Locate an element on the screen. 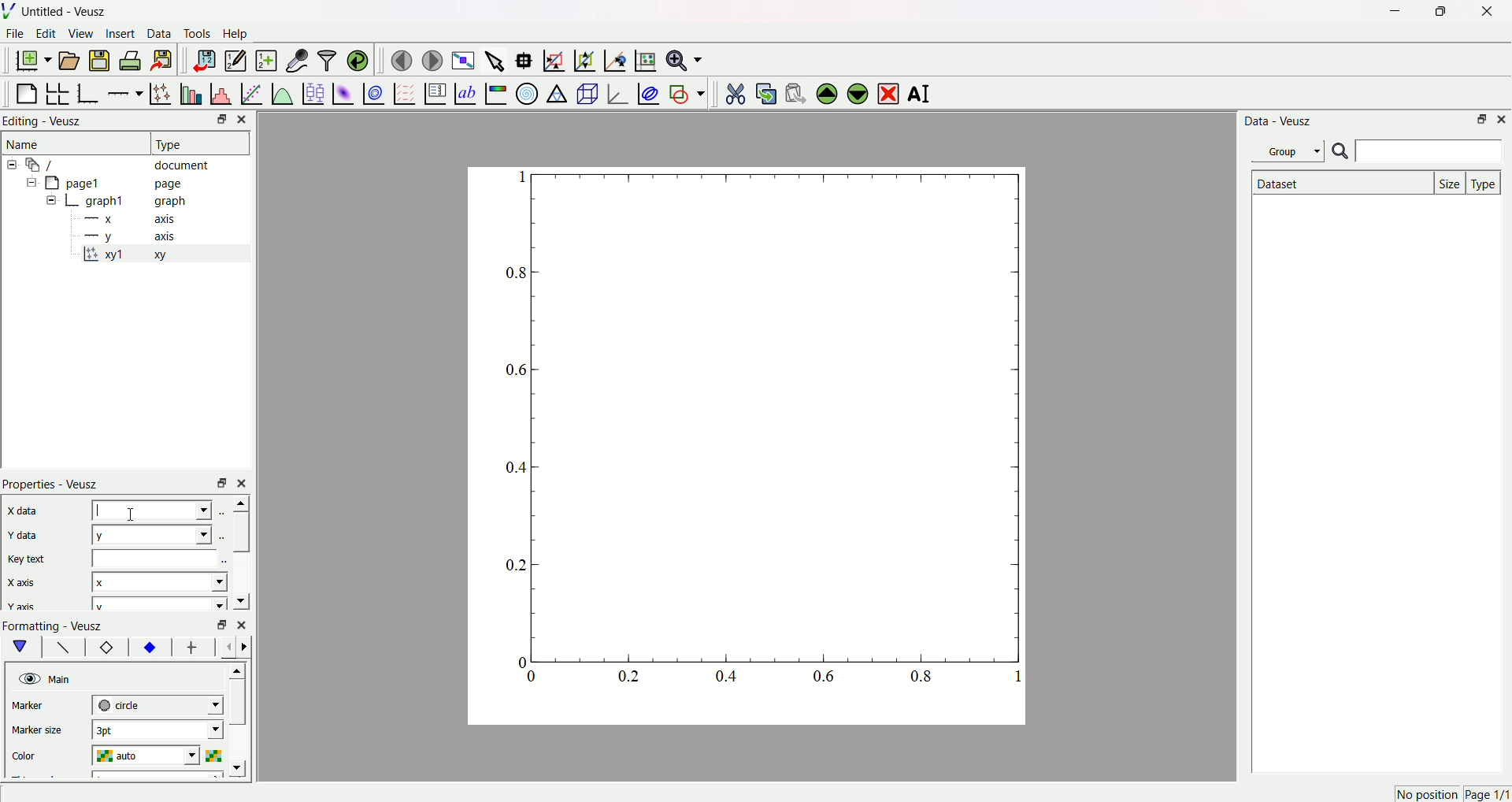 Image resolution: width=1512 pixels, height=802 pixels. move right is located at coordinates (248, 646).